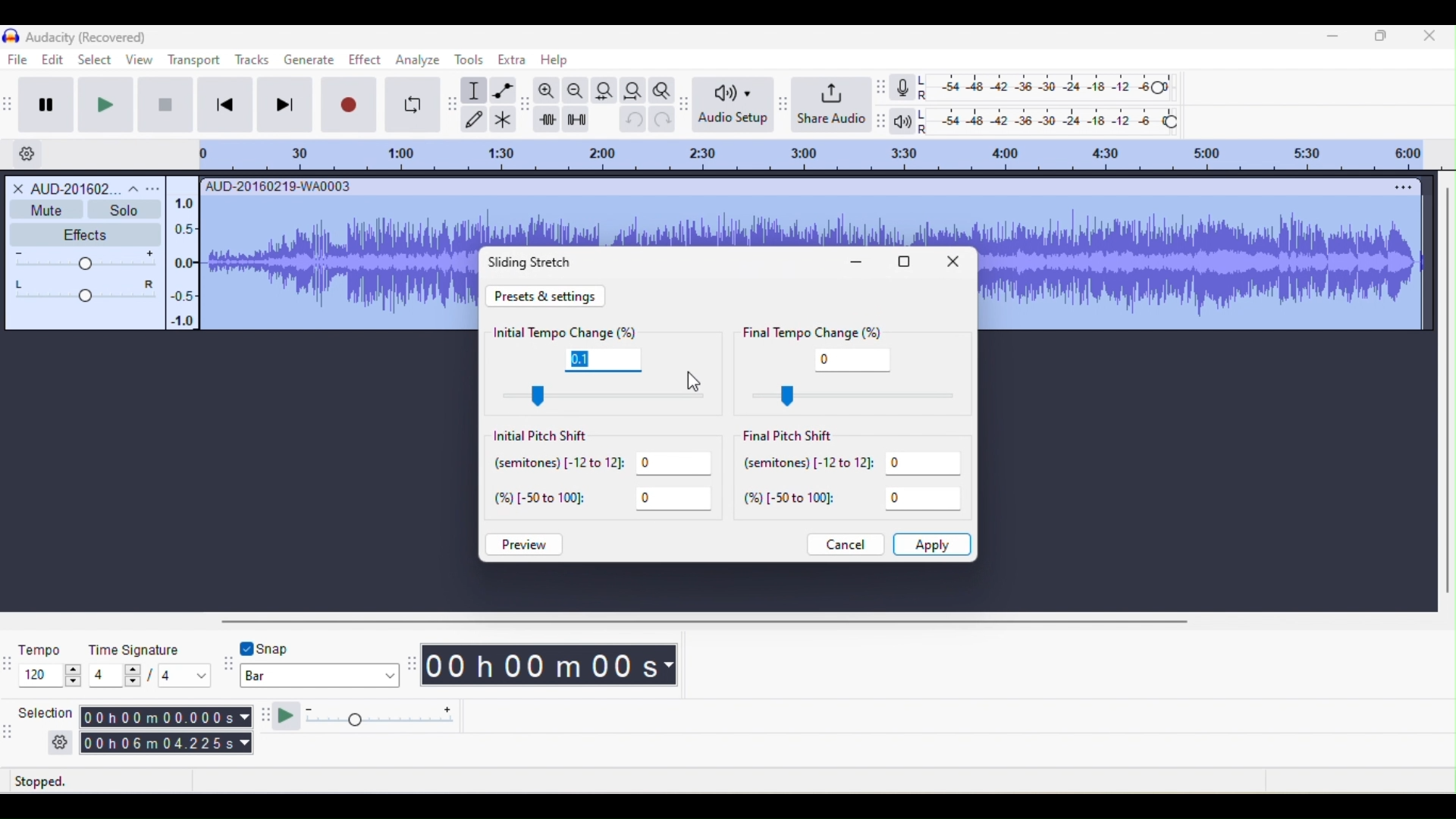 The height and width of the screenshot is (819, 1456). I want to click on extra, so click(511, 62).